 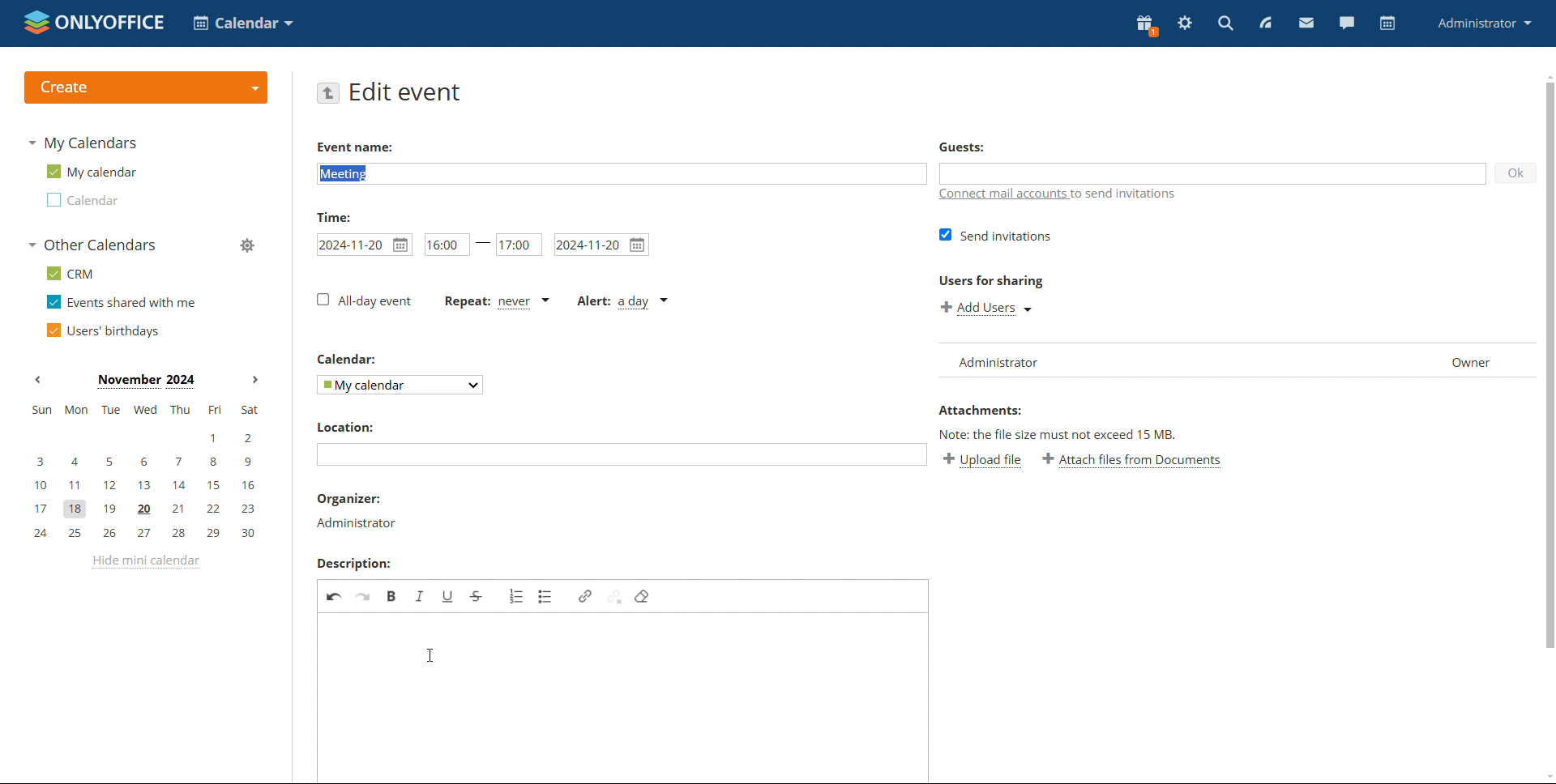 I want to click on strikethrough, so click(x=477, y=596).